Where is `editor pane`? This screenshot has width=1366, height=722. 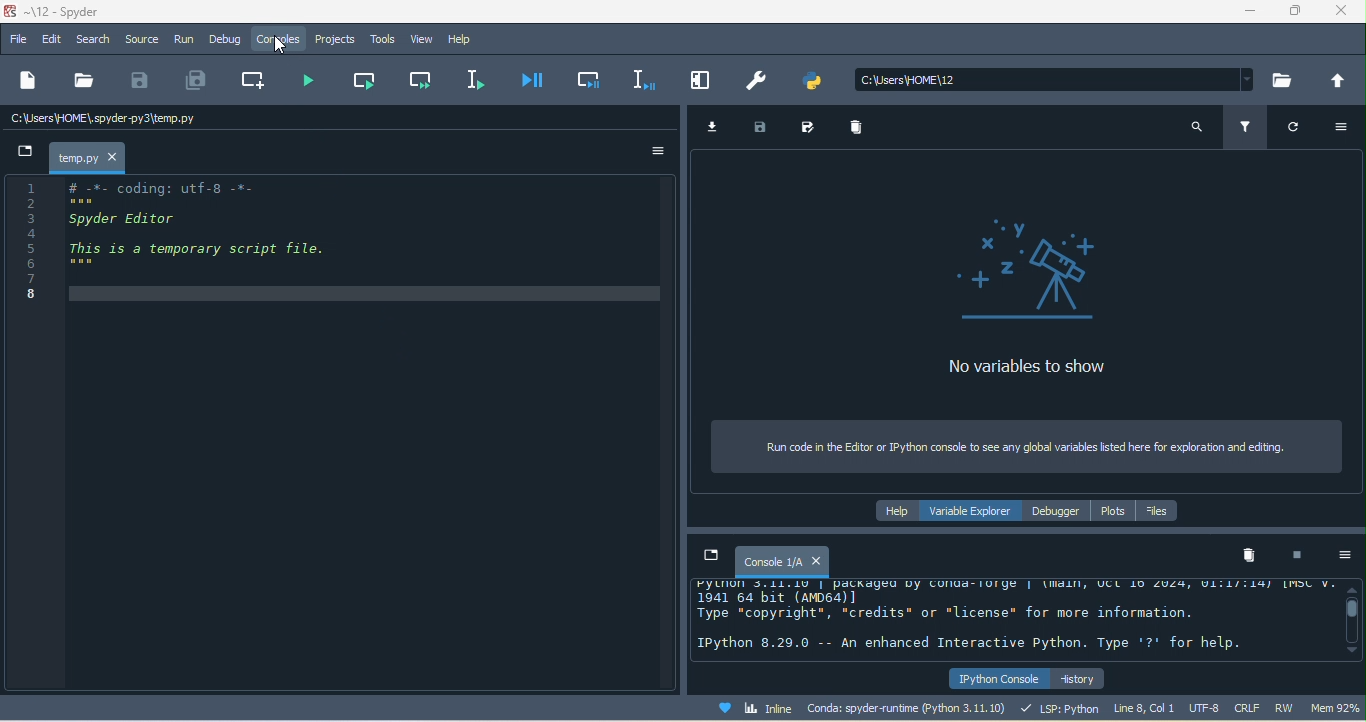
editor pane is located at coordinates (328, 241).